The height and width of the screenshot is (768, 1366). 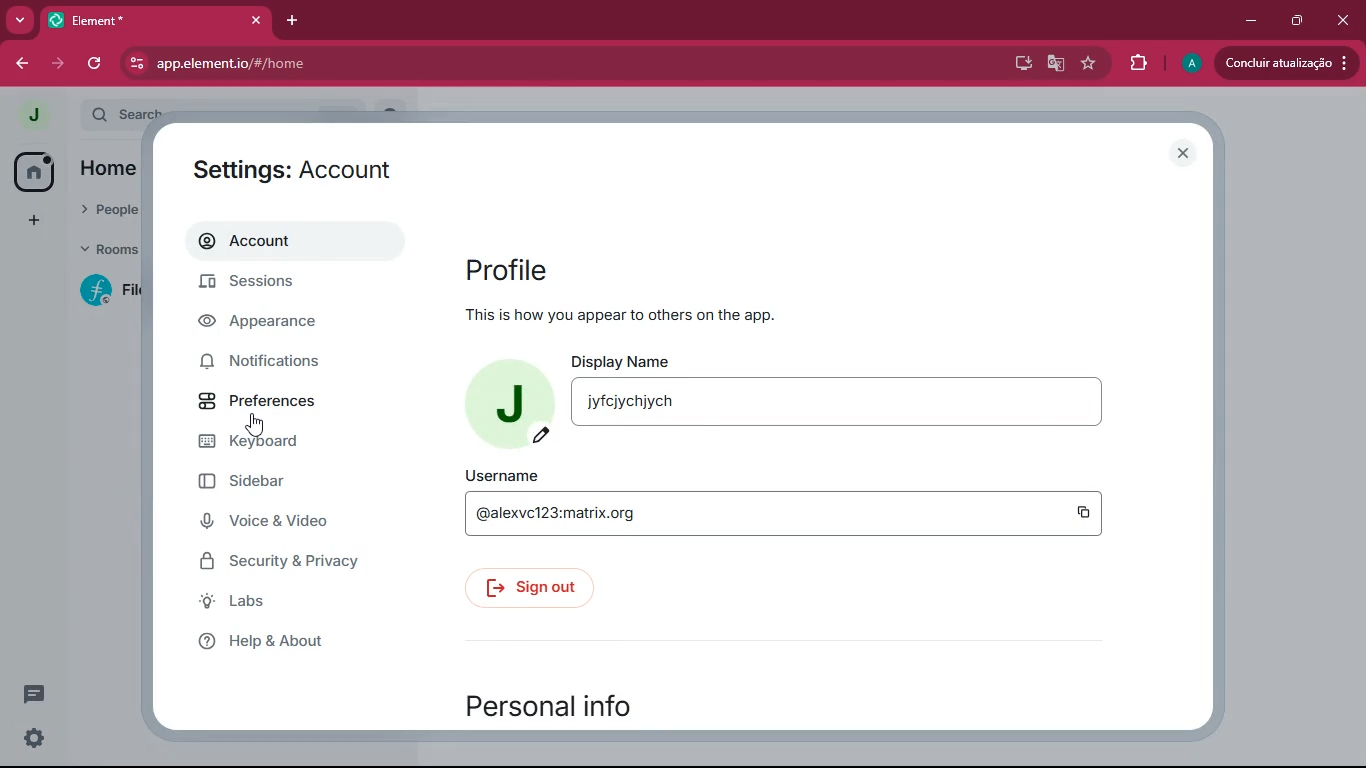 What do you see at coordinates (516, 476) in the screenshot?
I see `username` at bounding box center [516, 476].